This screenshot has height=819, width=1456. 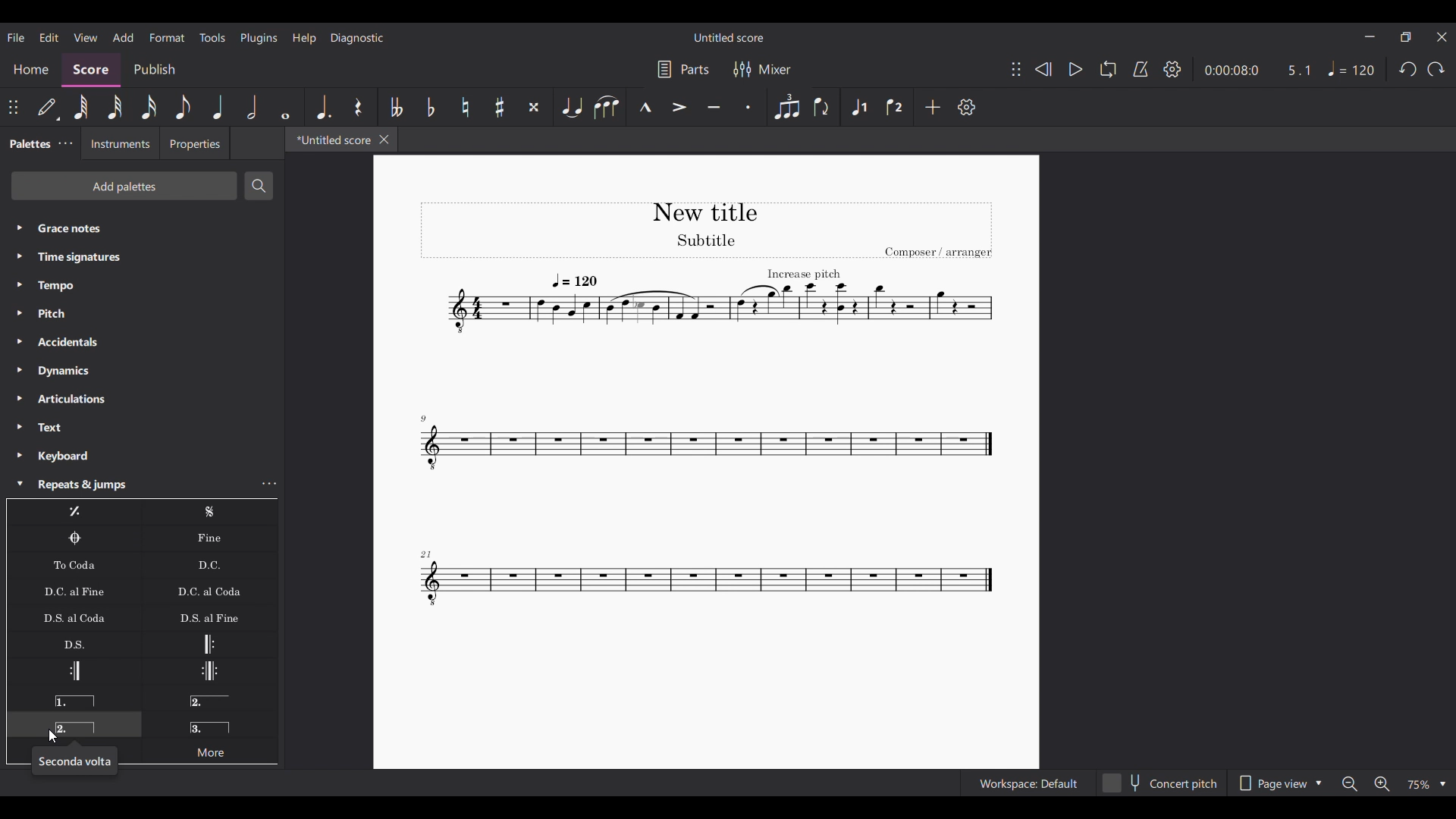 I want to click on Tools menu, so click(x=212, y=38).